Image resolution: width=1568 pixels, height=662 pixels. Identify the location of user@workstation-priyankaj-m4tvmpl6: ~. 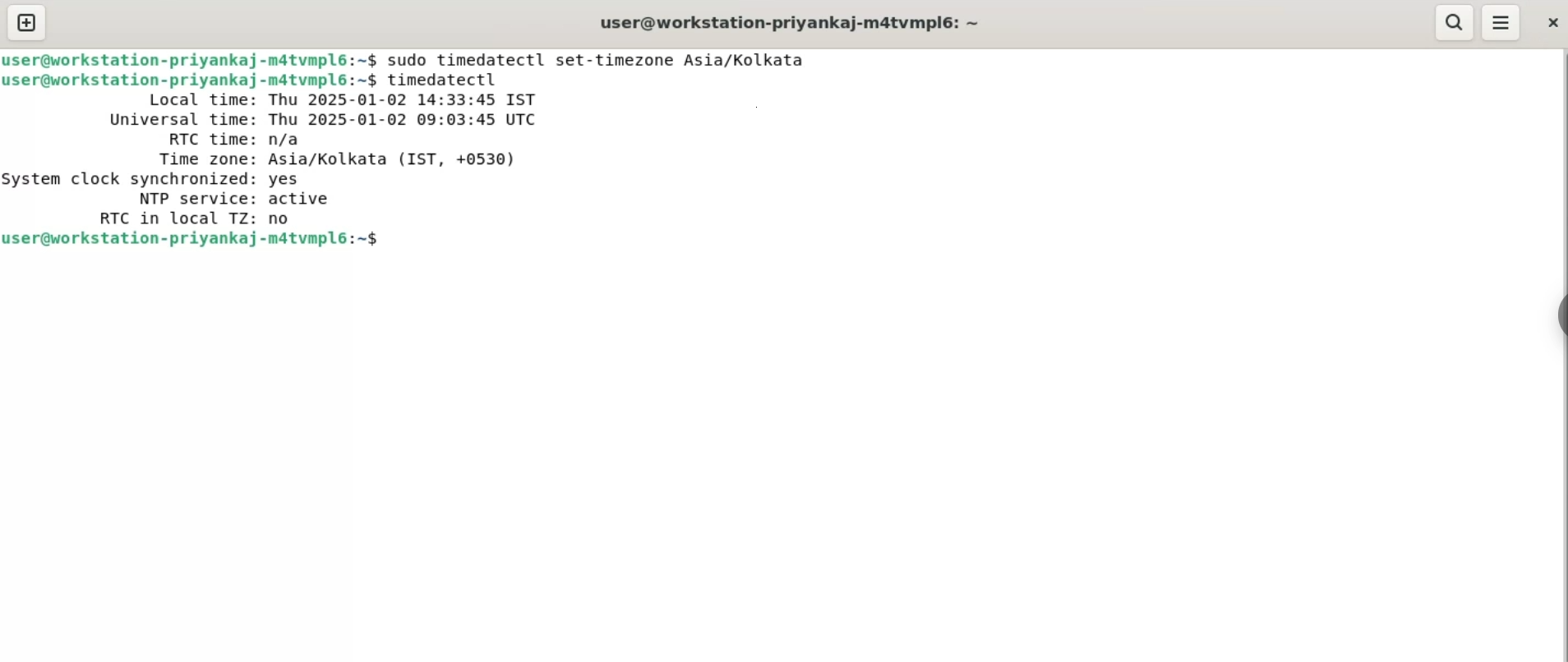
(790, 23).